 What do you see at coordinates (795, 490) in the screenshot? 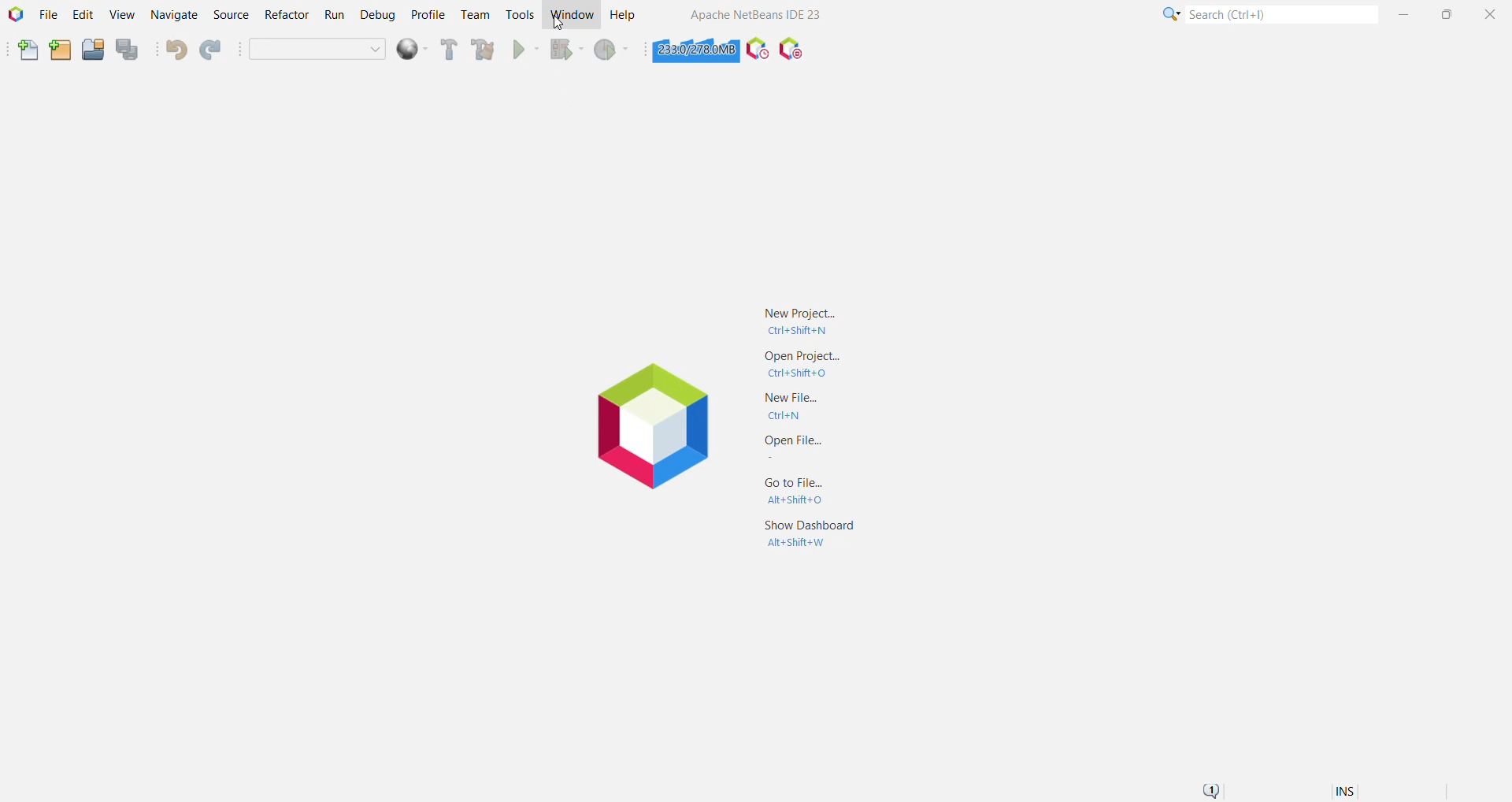
I see `Go to File` at bounding box center [795, 490].